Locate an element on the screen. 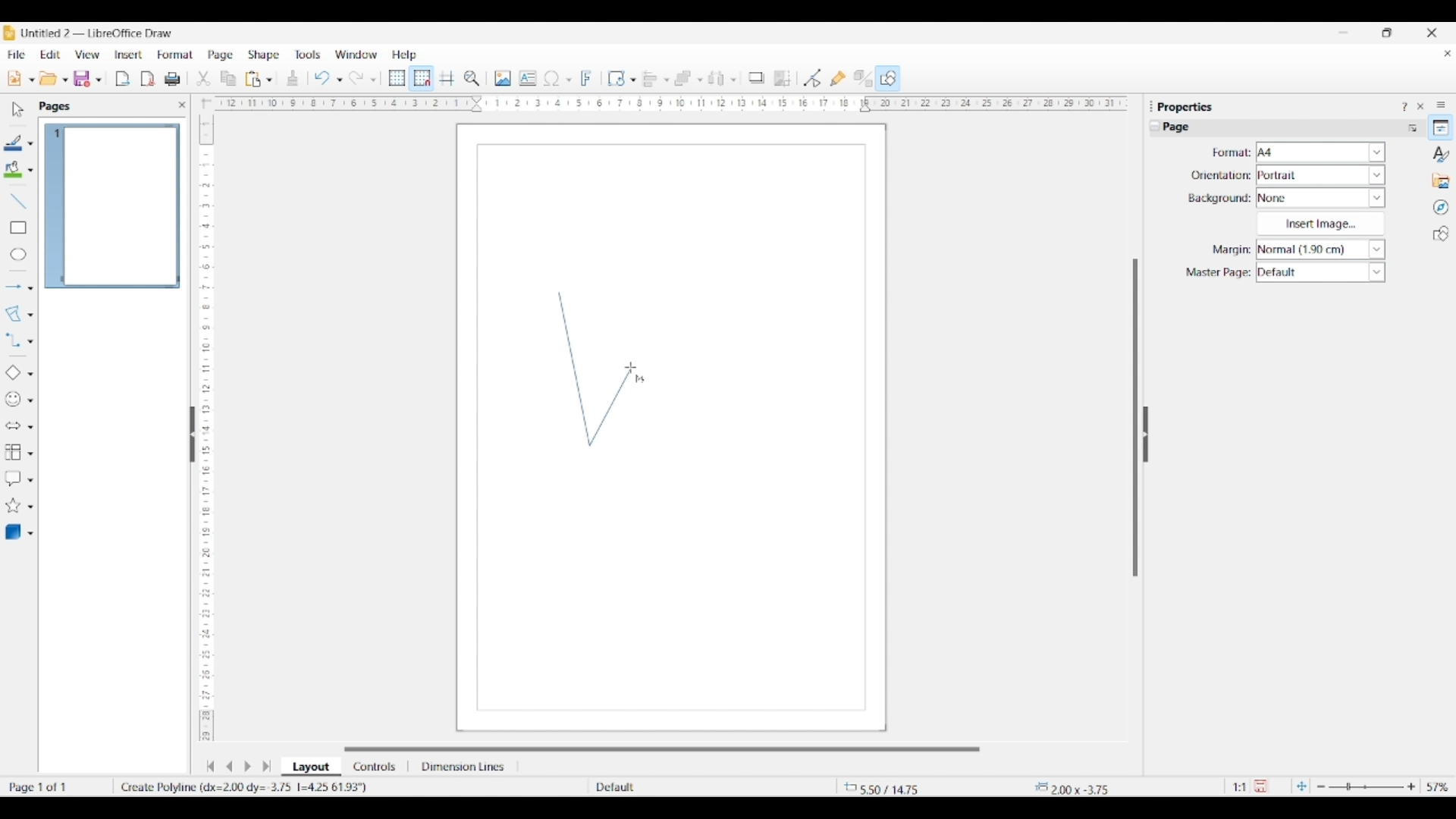 The width and height of the screenshot is (1456, 819). Help is located at coordinates (405, 55).